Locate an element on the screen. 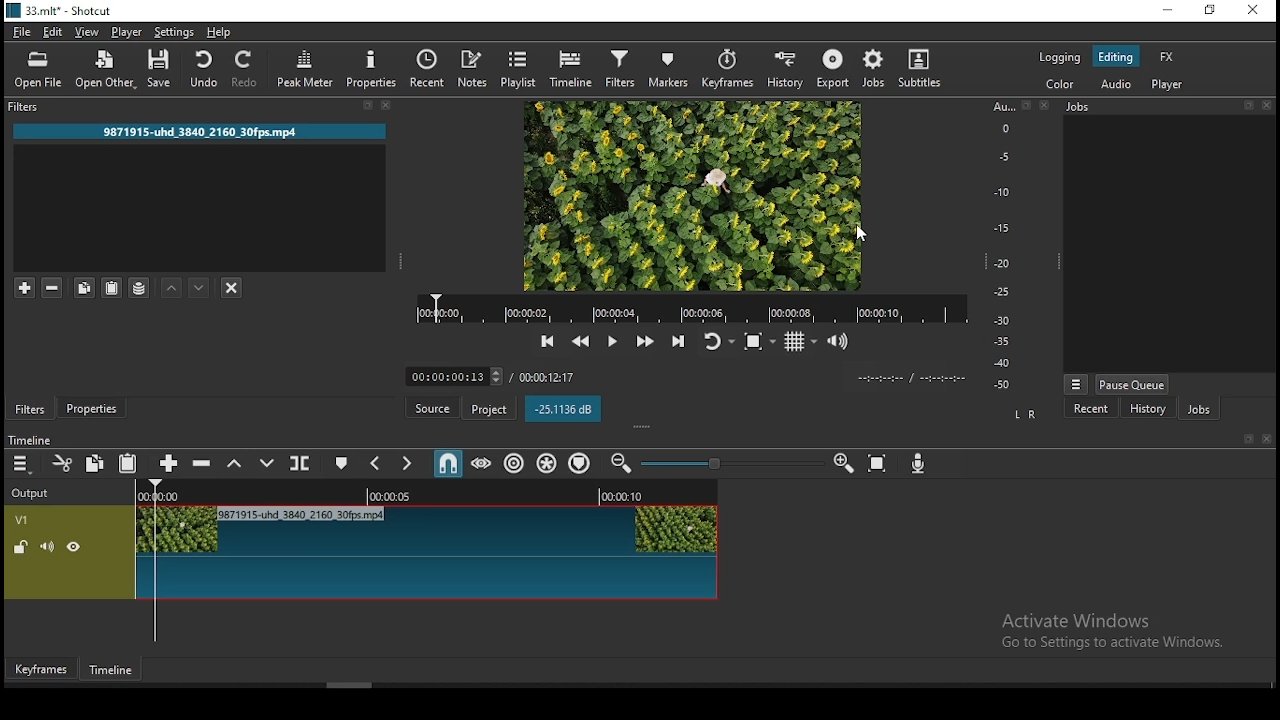  filters is located at coordinates (26, 109).